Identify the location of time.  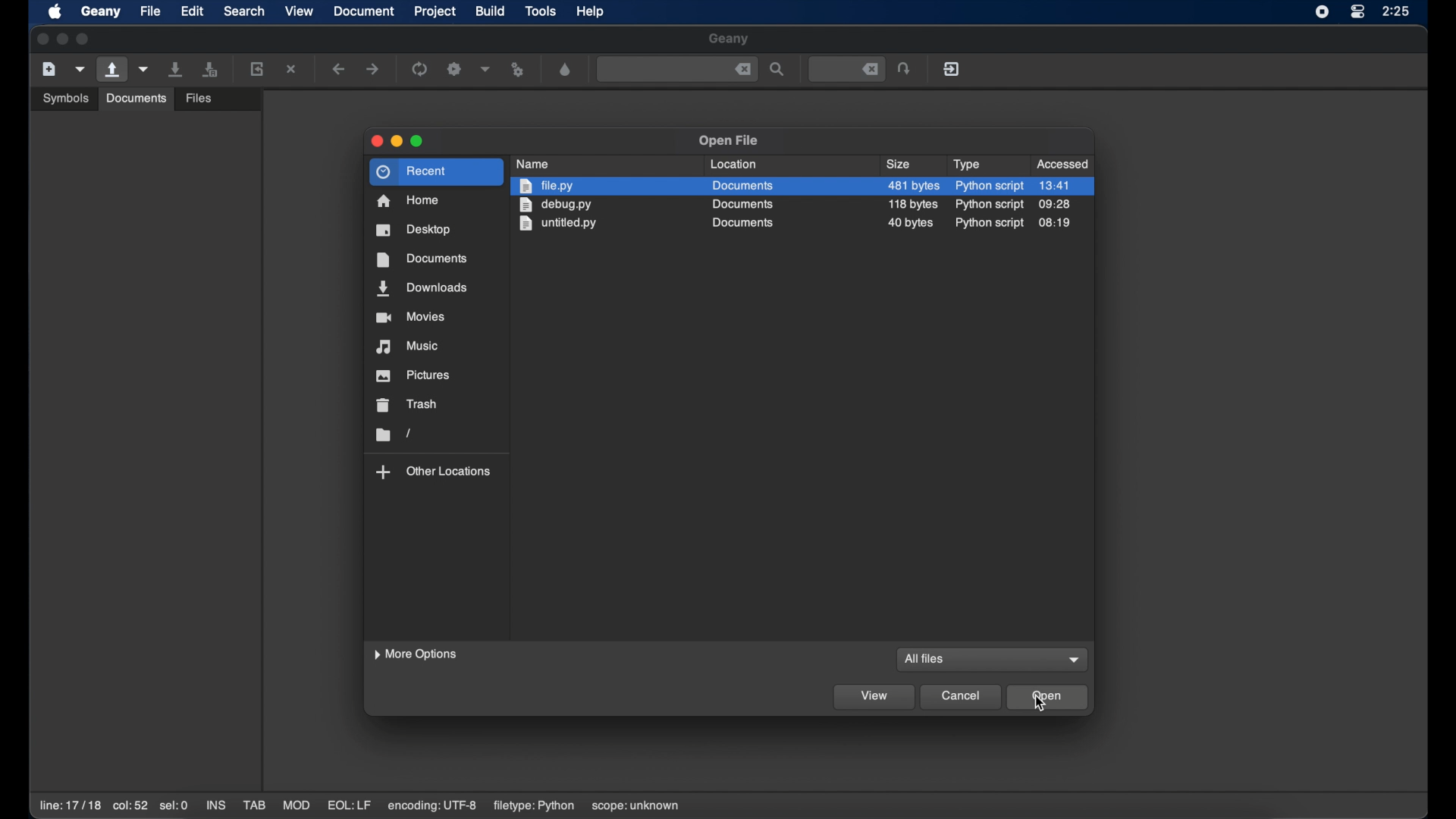
(1398, 11).